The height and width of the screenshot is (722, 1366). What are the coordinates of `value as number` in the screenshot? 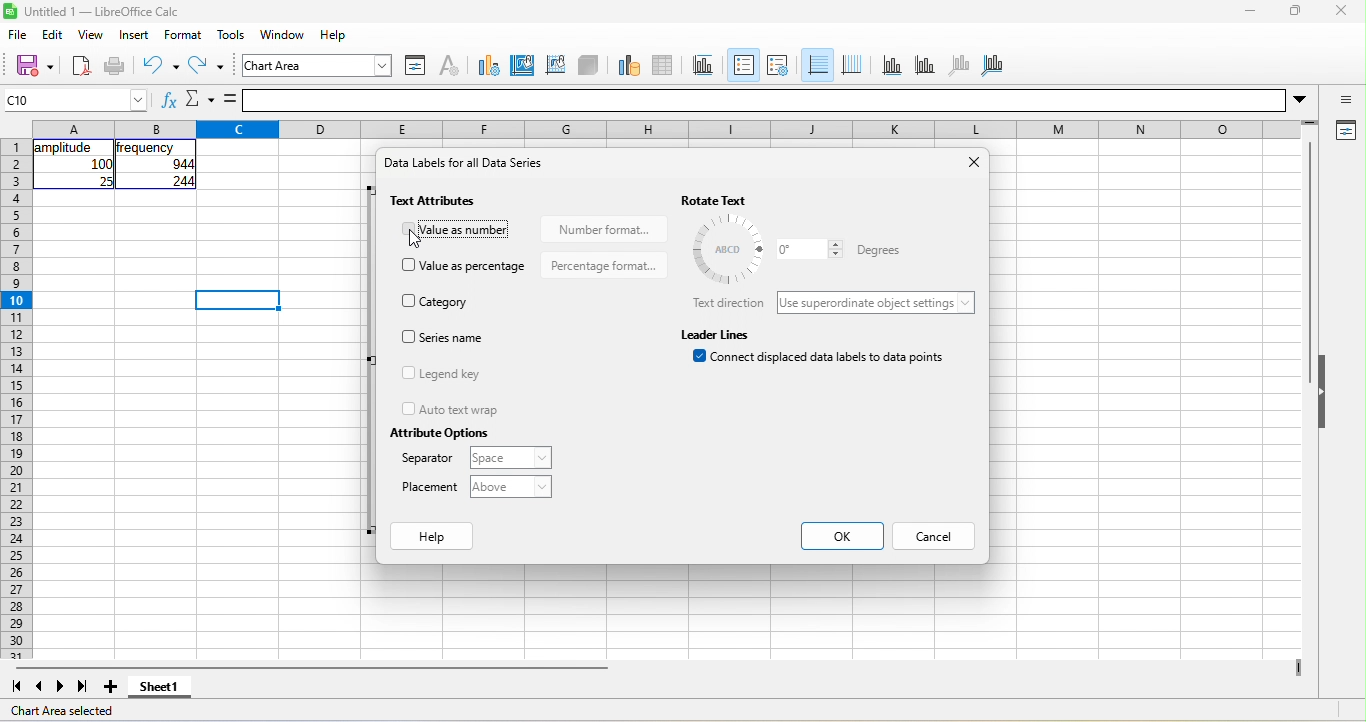 It's located at (456, 229).